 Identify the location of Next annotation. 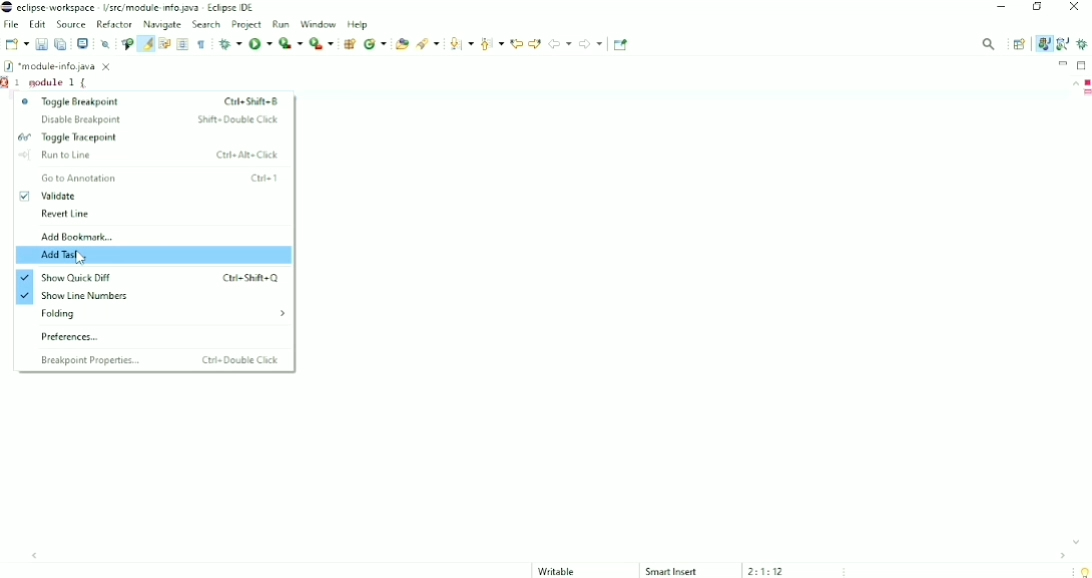
(460, 44).